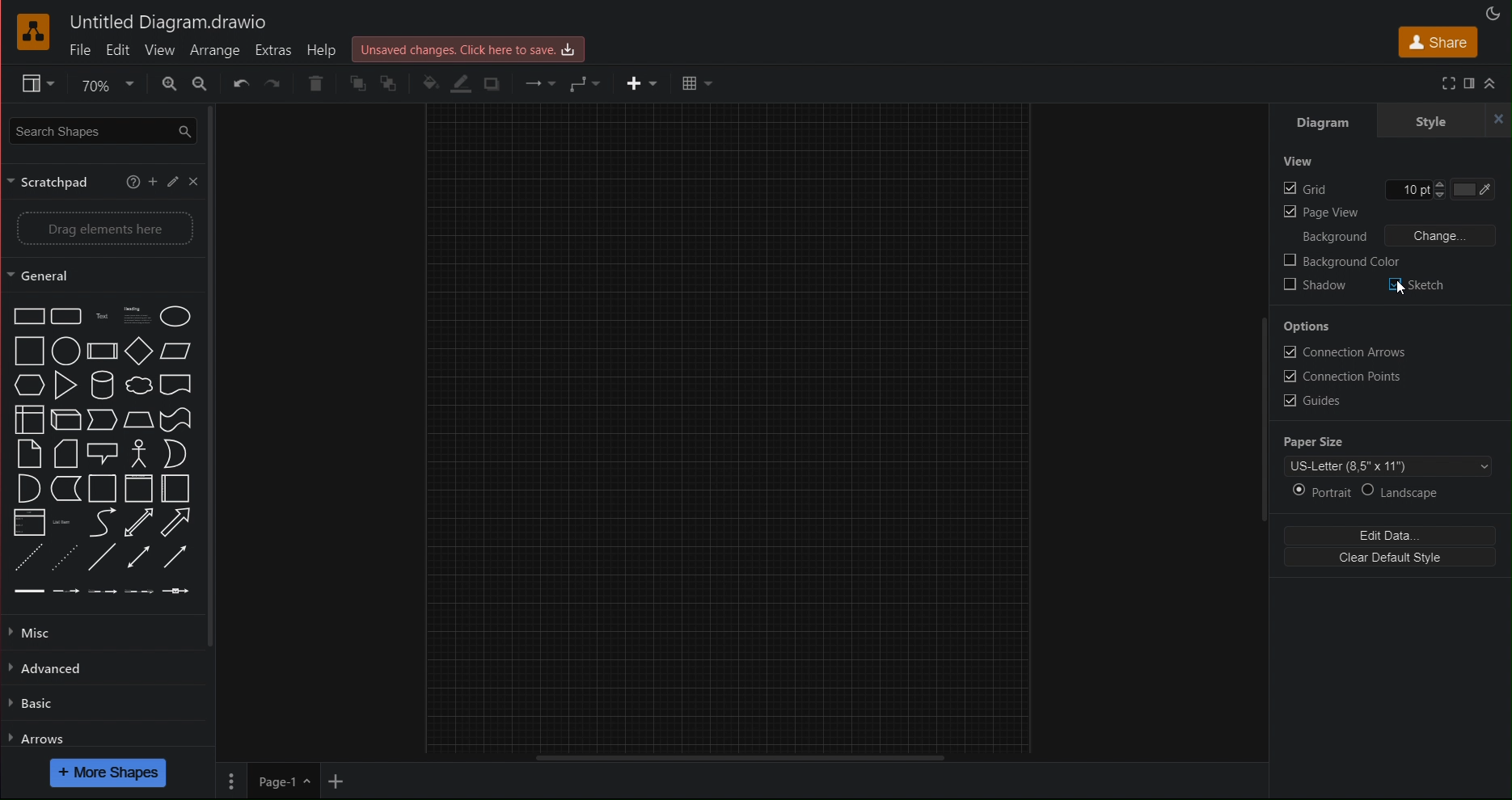  I want to click on Page Template, so click(1386, 466).